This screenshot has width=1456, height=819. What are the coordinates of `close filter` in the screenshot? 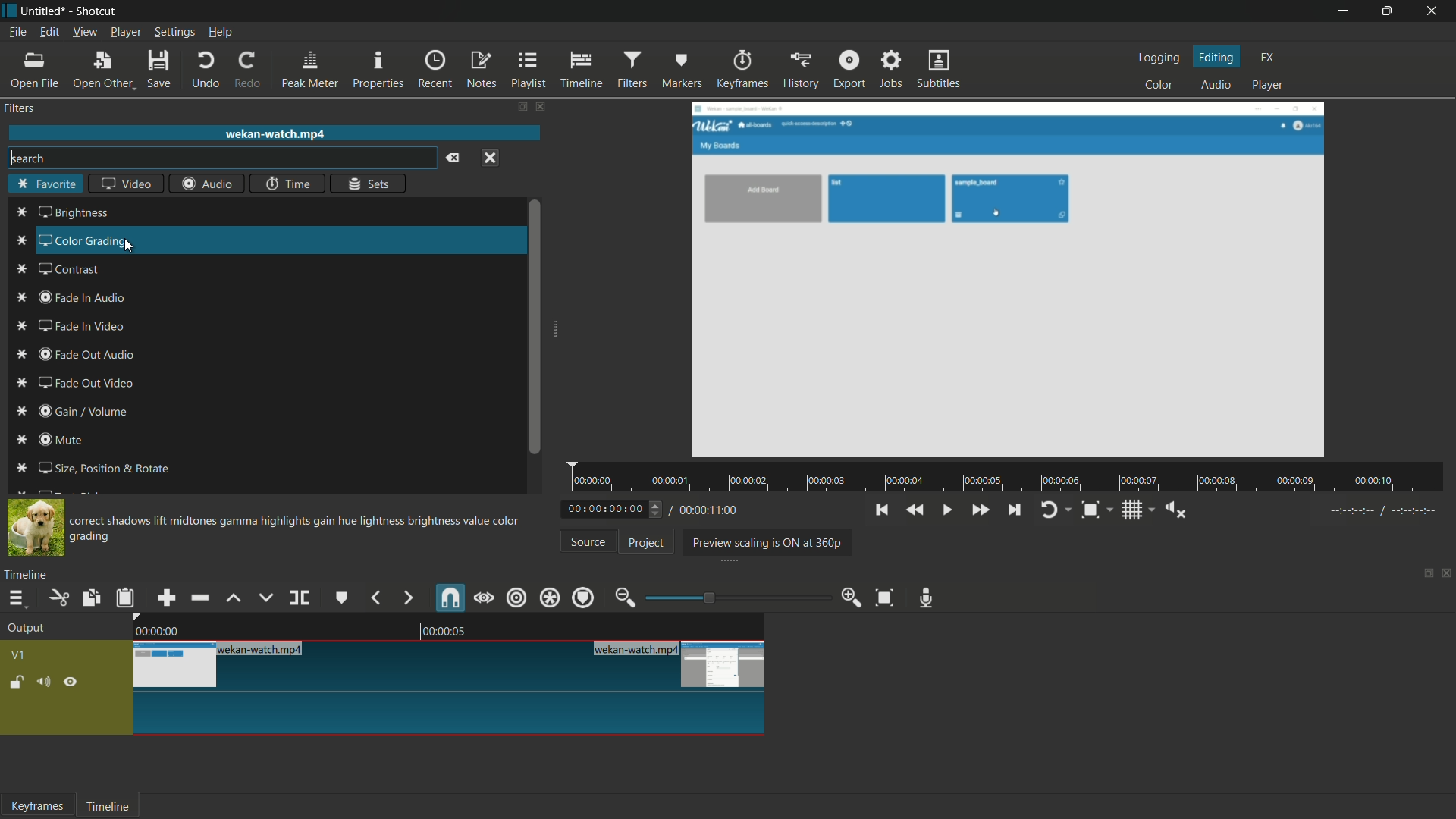 It's located at (540, 107).